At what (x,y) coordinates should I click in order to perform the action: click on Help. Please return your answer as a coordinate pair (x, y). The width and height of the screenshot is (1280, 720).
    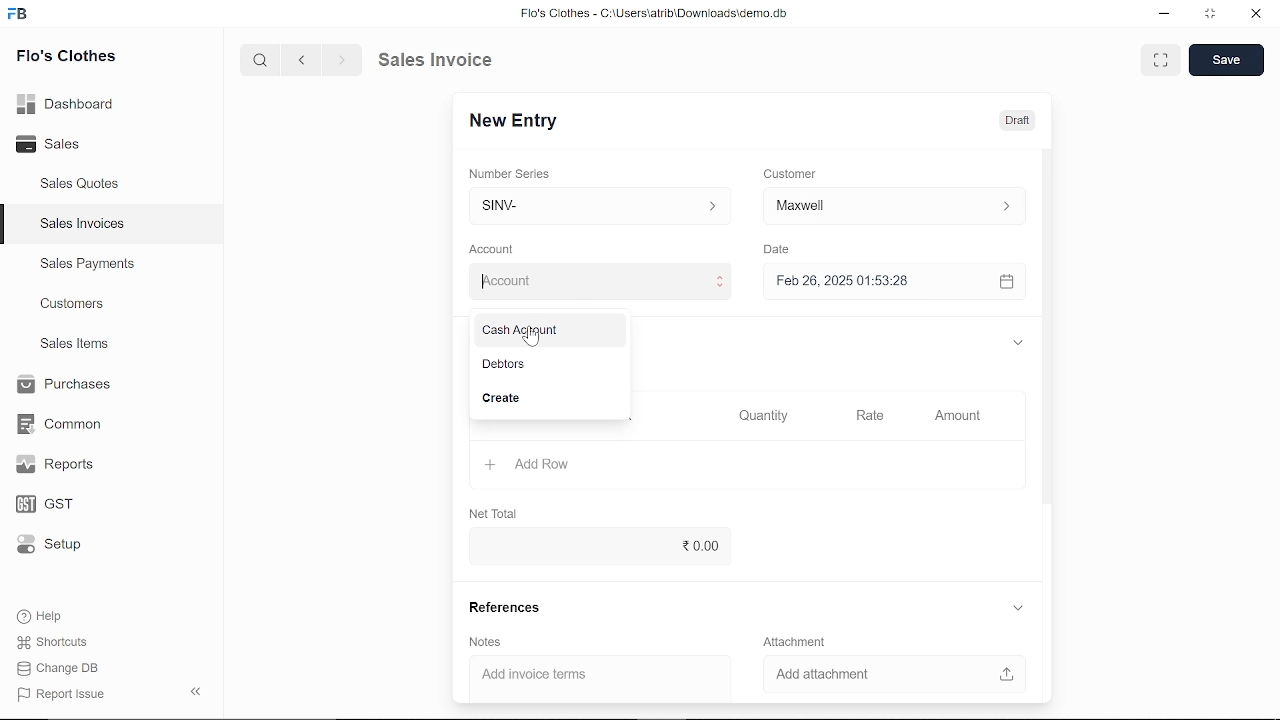
    Looking at the image, I should click on (53, 616).